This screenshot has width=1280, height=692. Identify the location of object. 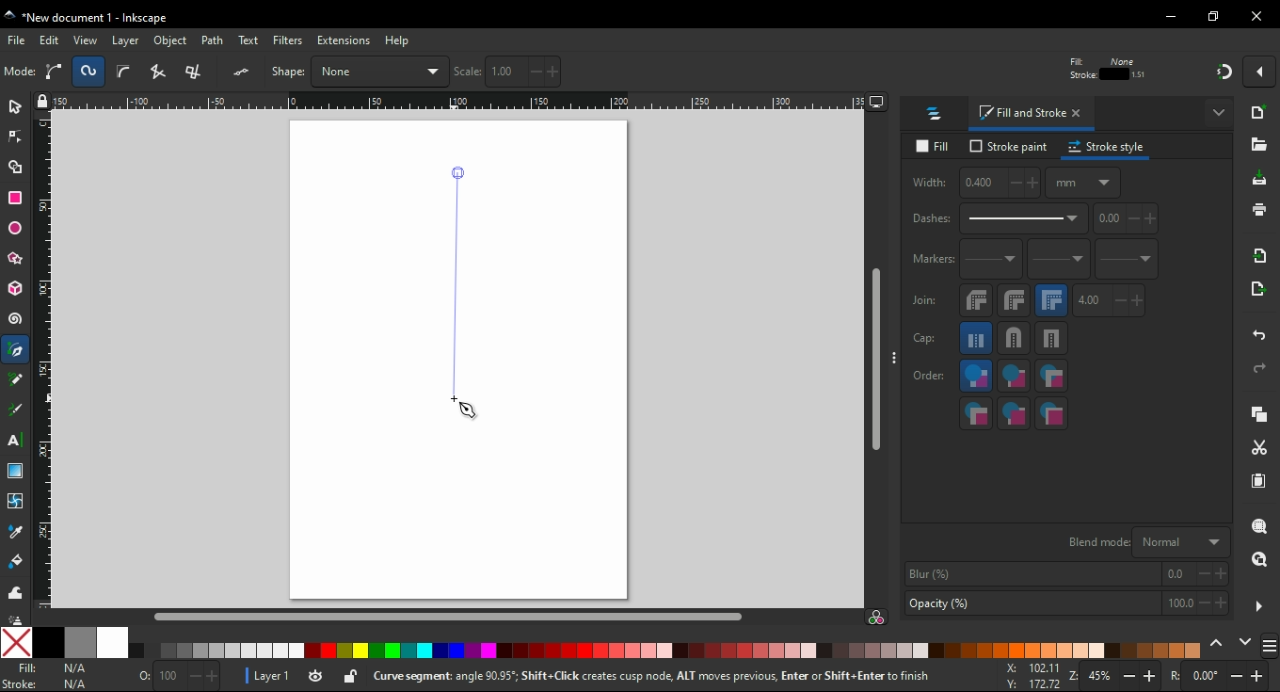
(173, 41).